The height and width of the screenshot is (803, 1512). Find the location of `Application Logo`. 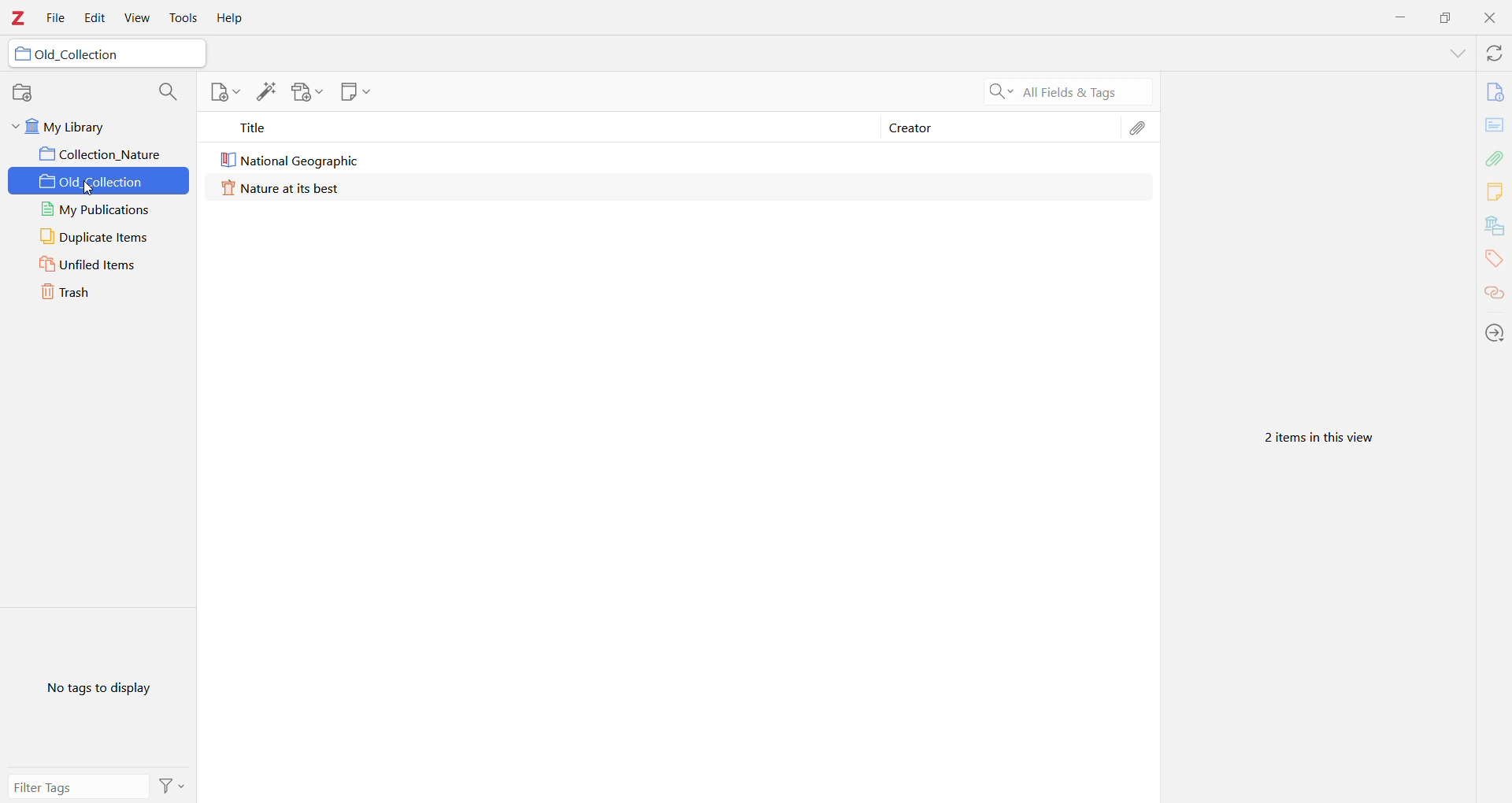

Application Logo is located at coordinates (19, 19).